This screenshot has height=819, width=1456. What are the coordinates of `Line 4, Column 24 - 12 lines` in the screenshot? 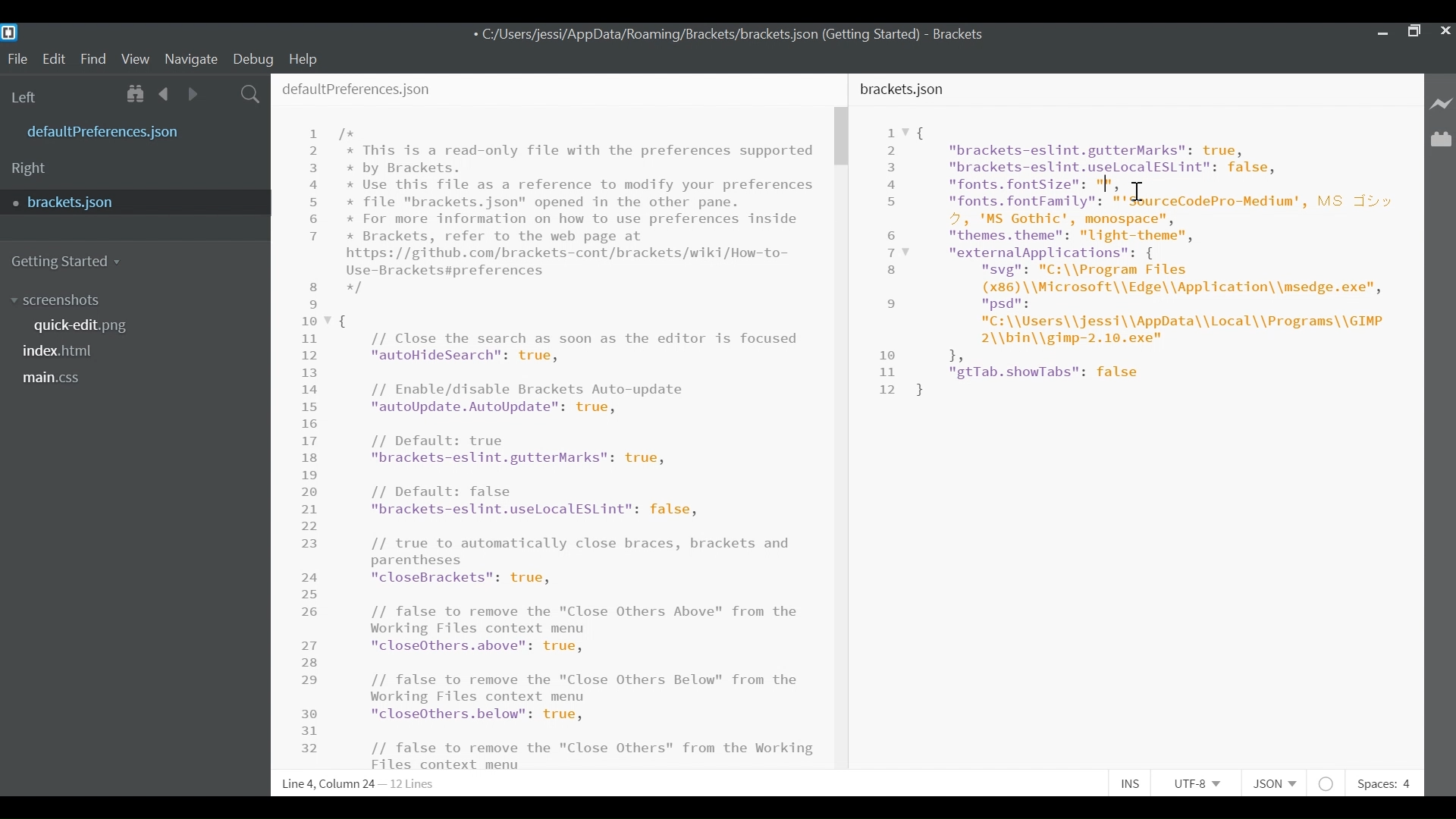 It's located at (361, 784).